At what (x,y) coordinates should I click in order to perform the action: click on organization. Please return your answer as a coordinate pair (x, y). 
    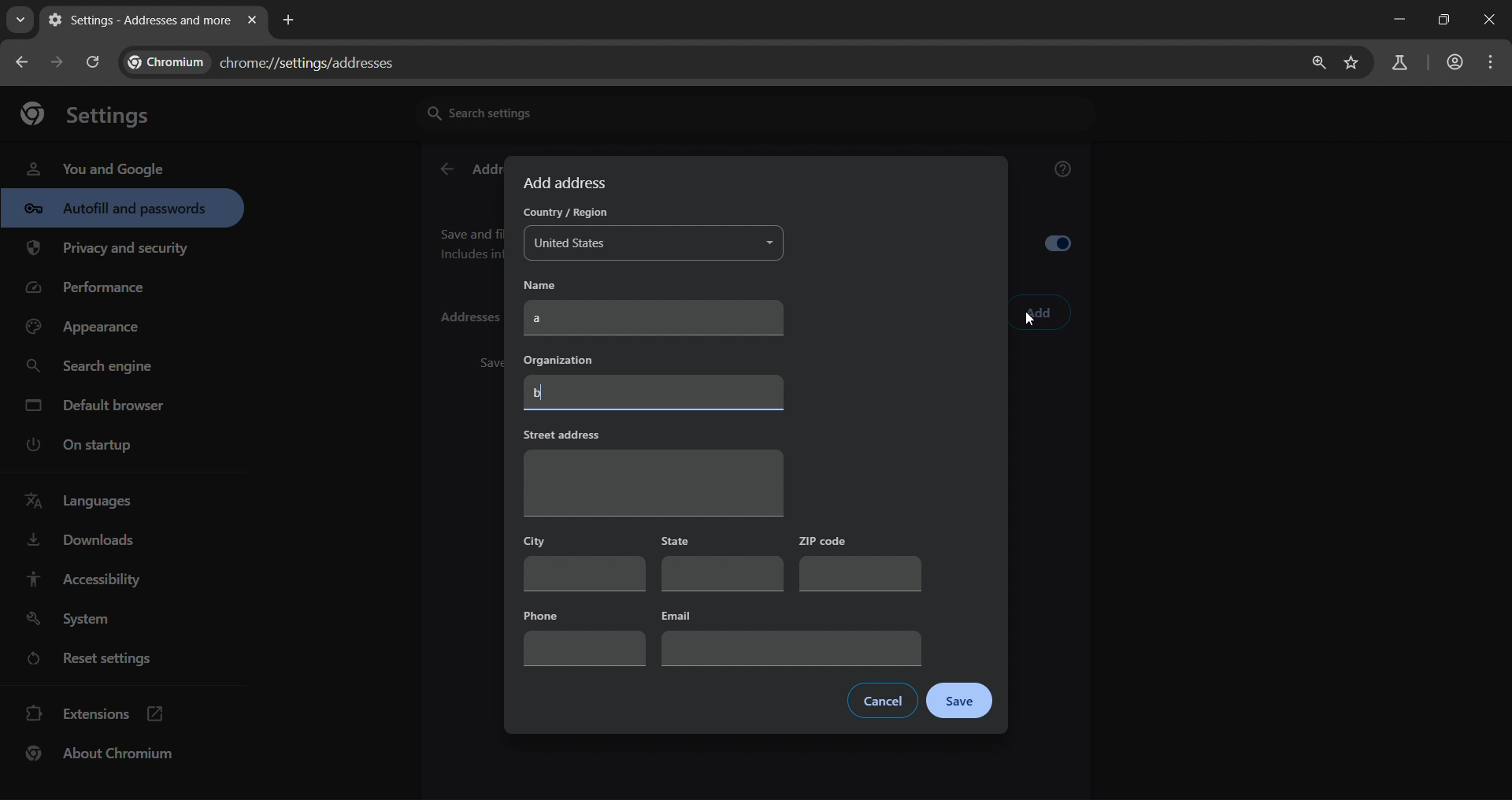
    Looking at the image, I should click on (563, 360).